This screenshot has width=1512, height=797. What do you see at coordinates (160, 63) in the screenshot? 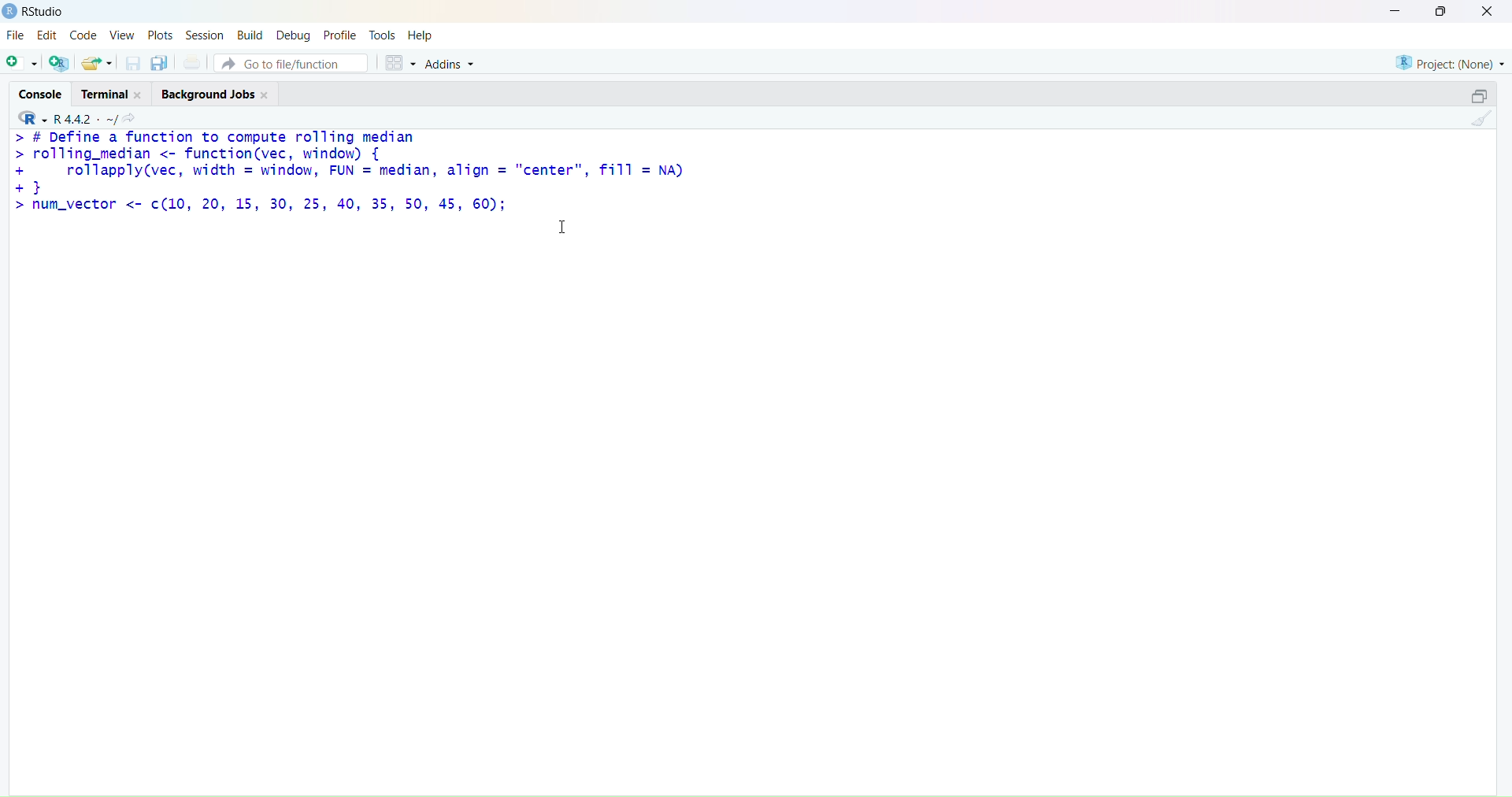
I see `copy` at bounding box center [160, 63].